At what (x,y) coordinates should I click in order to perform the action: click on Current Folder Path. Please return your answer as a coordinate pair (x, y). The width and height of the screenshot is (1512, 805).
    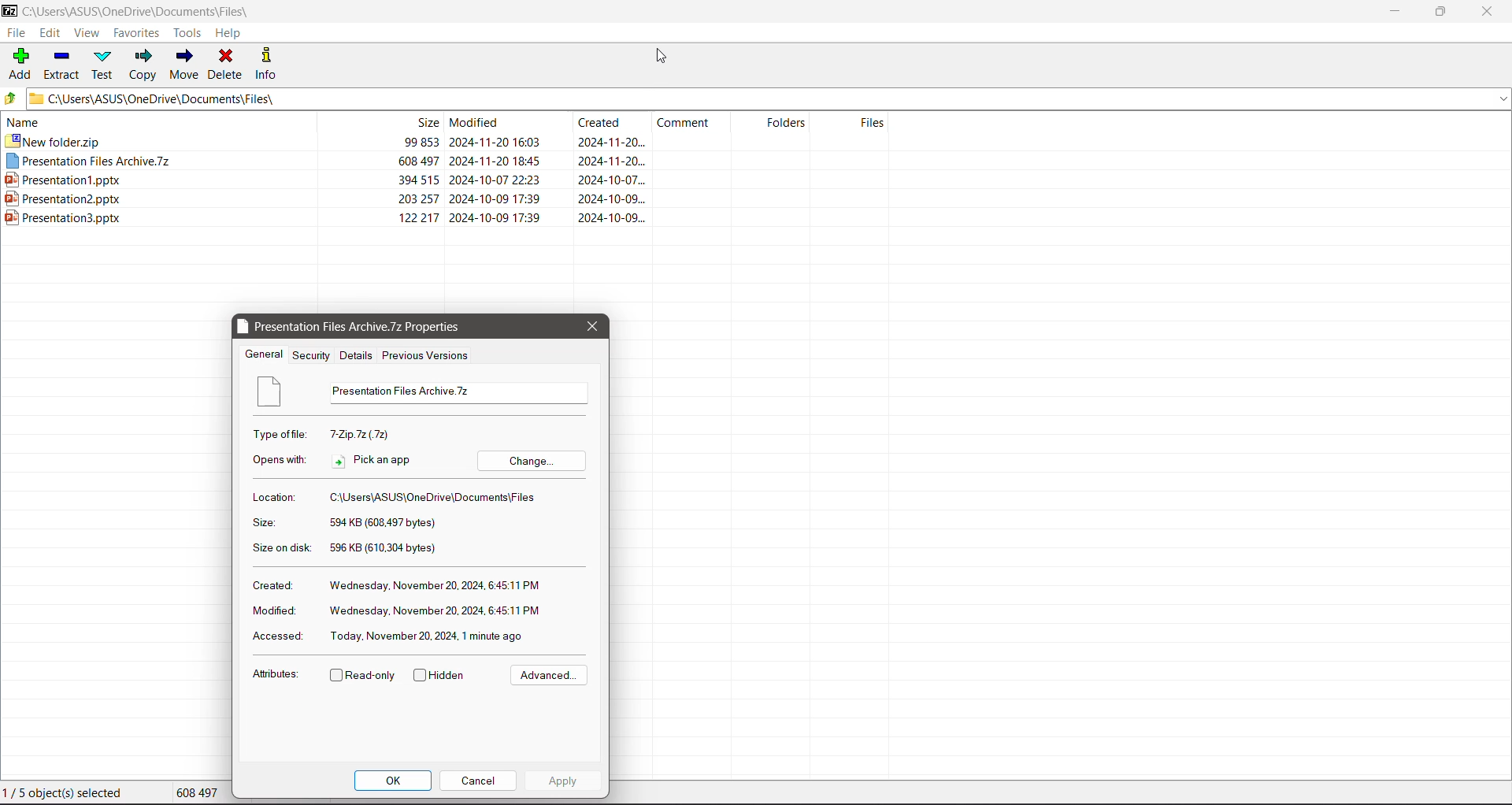
    Looking at the image, I should click on (769, 98).